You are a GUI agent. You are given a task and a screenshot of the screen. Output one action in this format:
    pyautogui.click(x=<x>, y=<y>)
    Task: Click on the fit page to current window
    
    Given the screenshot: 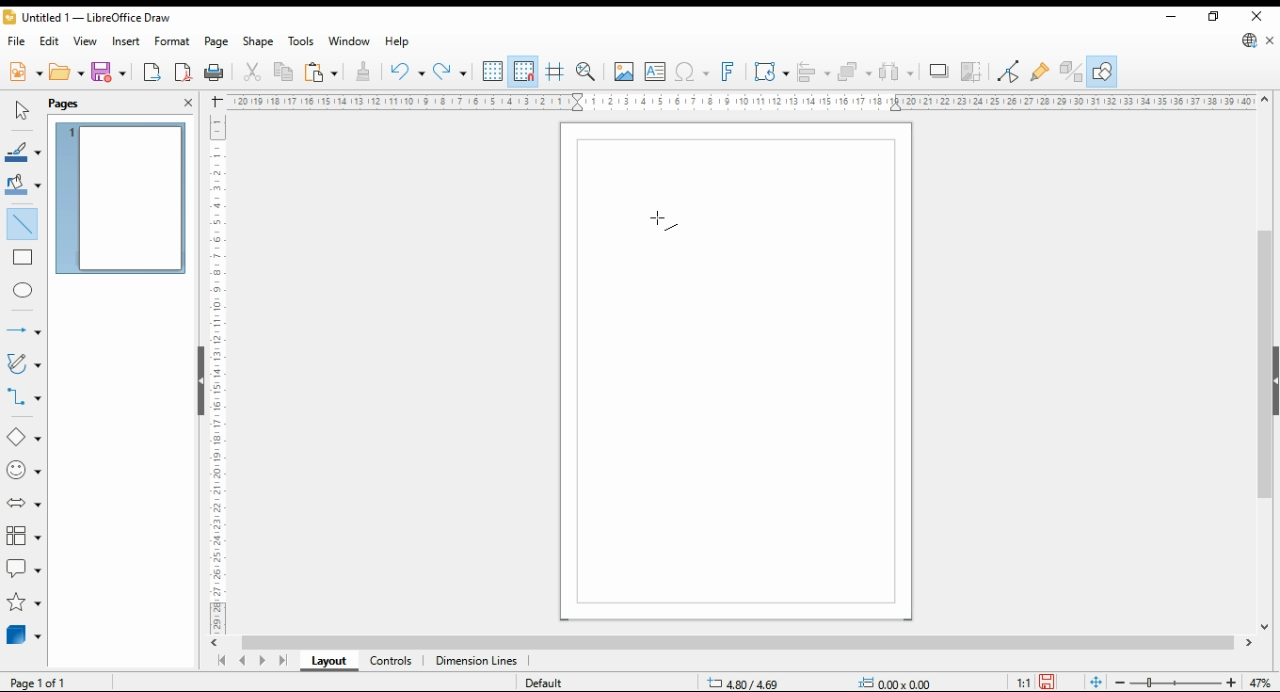 What is the action you would take?
    pyautogui.click(x=1096, y=682)
    